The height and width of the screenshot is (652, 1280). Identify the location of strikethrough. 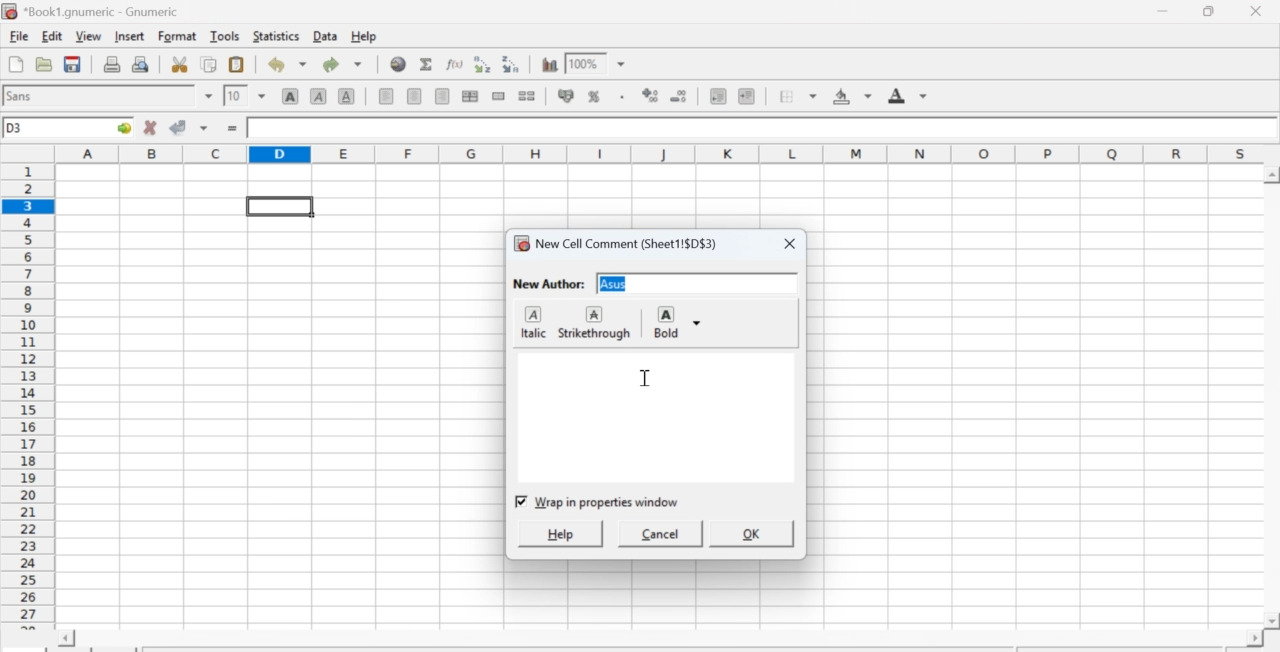
(597, 323).